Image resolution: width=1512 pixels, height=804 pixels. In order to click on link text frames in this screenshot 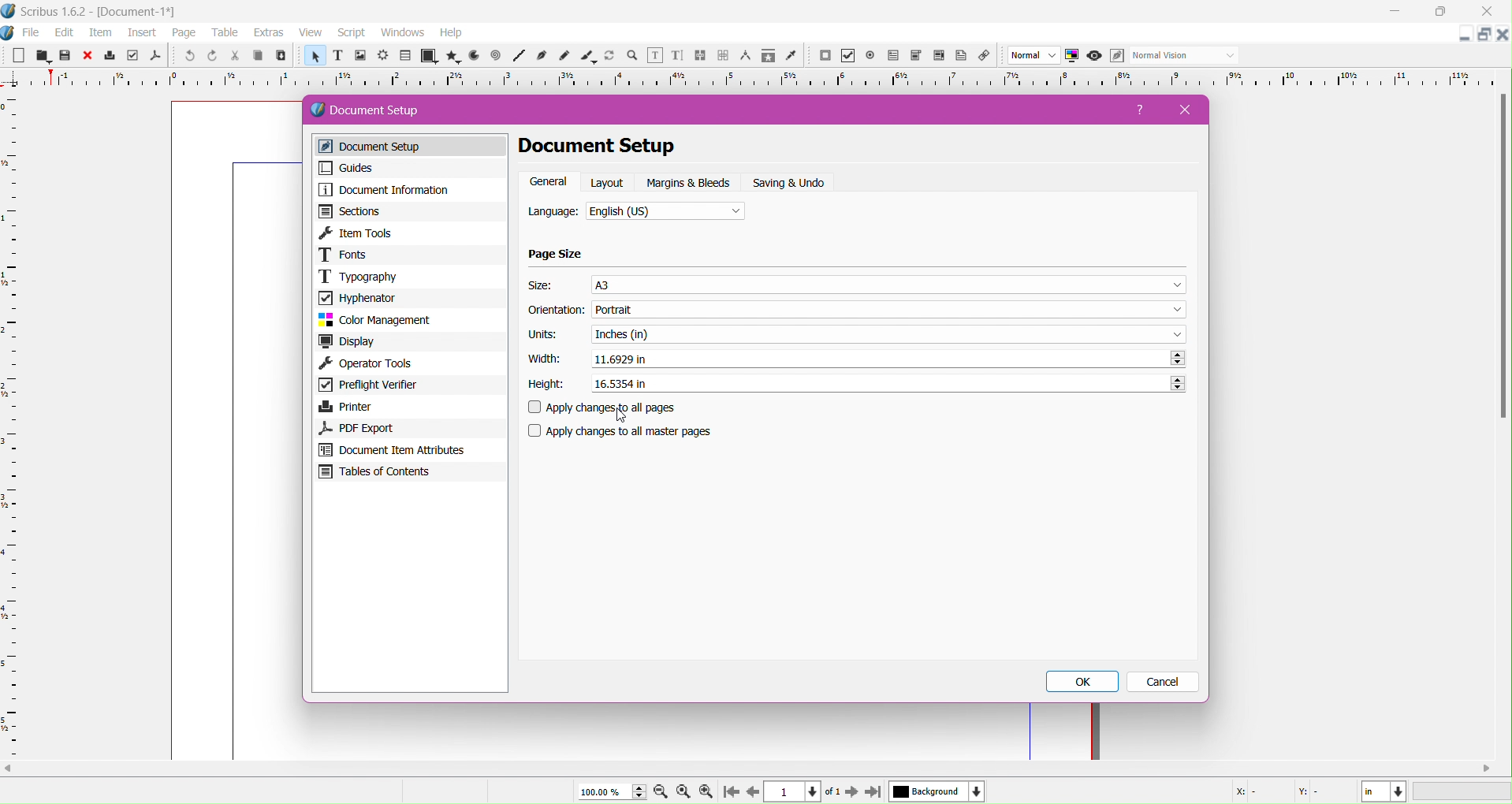, I will do `click(700, 56)`.